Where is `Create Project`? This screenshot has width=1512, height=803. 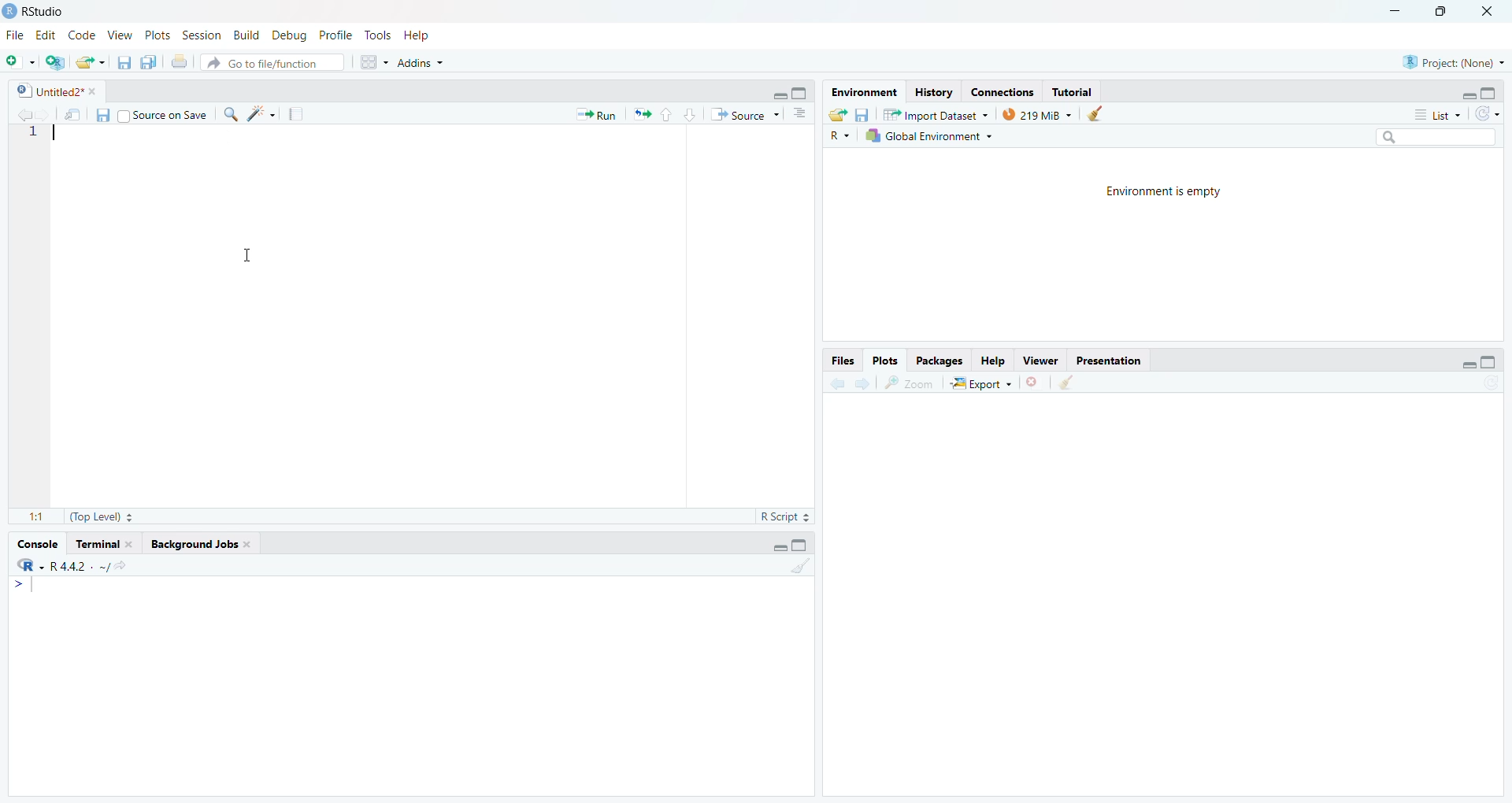
Create Project is located at coordinates (54, 62).